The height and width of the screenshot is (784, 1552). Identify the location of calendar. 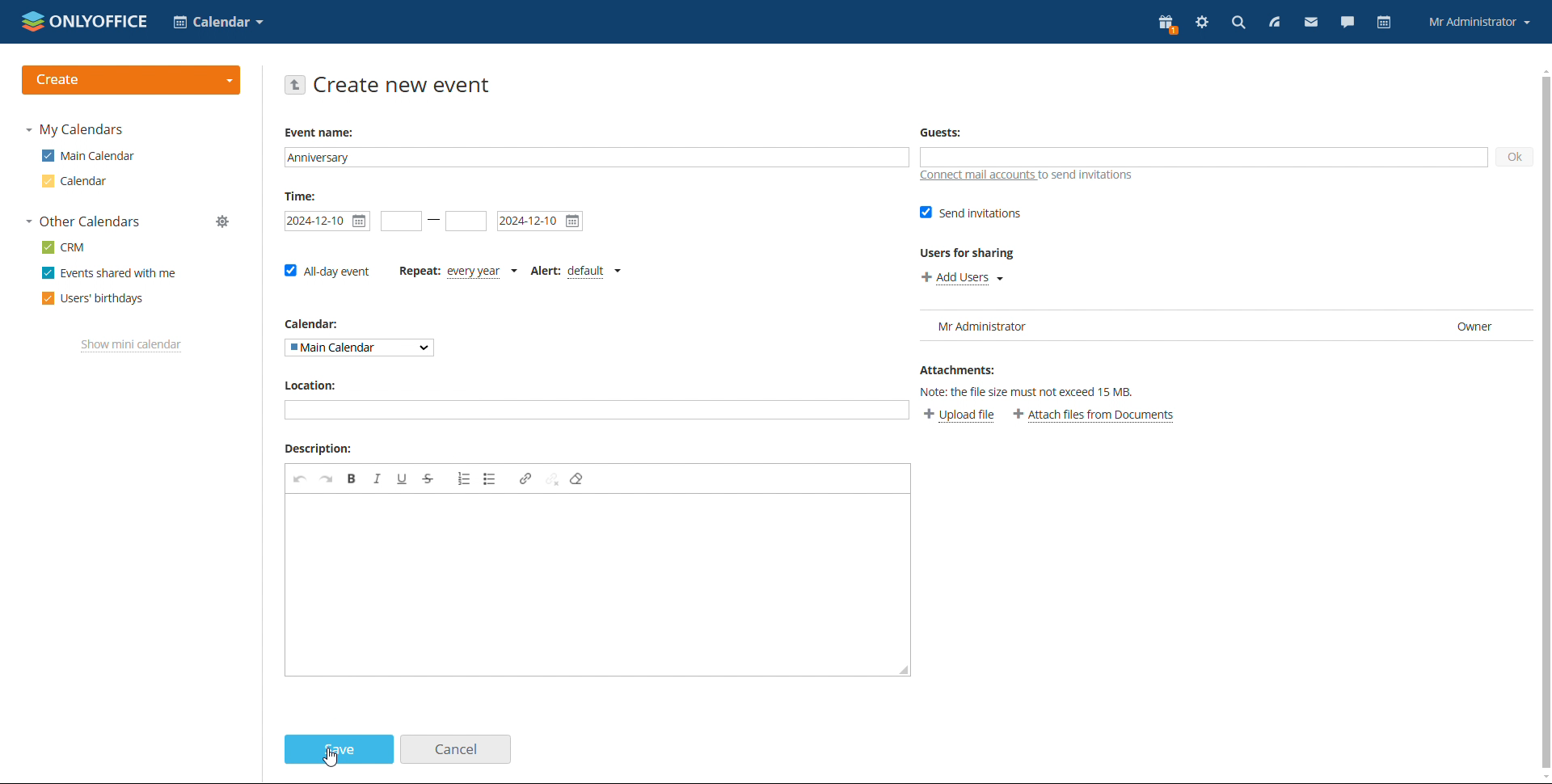
(1383, 23).